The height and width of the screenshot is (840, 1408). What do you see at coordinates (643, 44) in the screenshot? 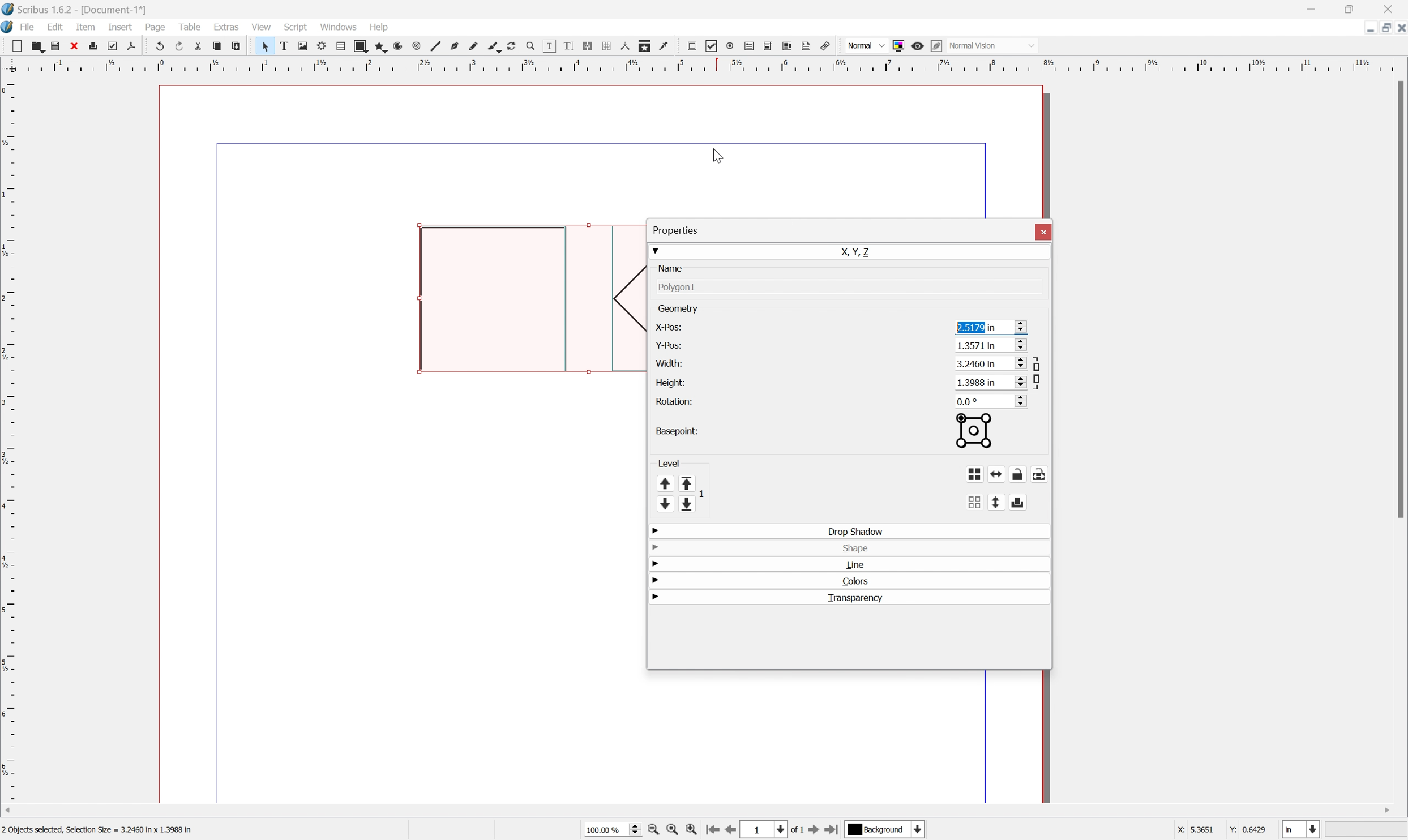
I see `copy item properties` at bounding box center [643, 44].